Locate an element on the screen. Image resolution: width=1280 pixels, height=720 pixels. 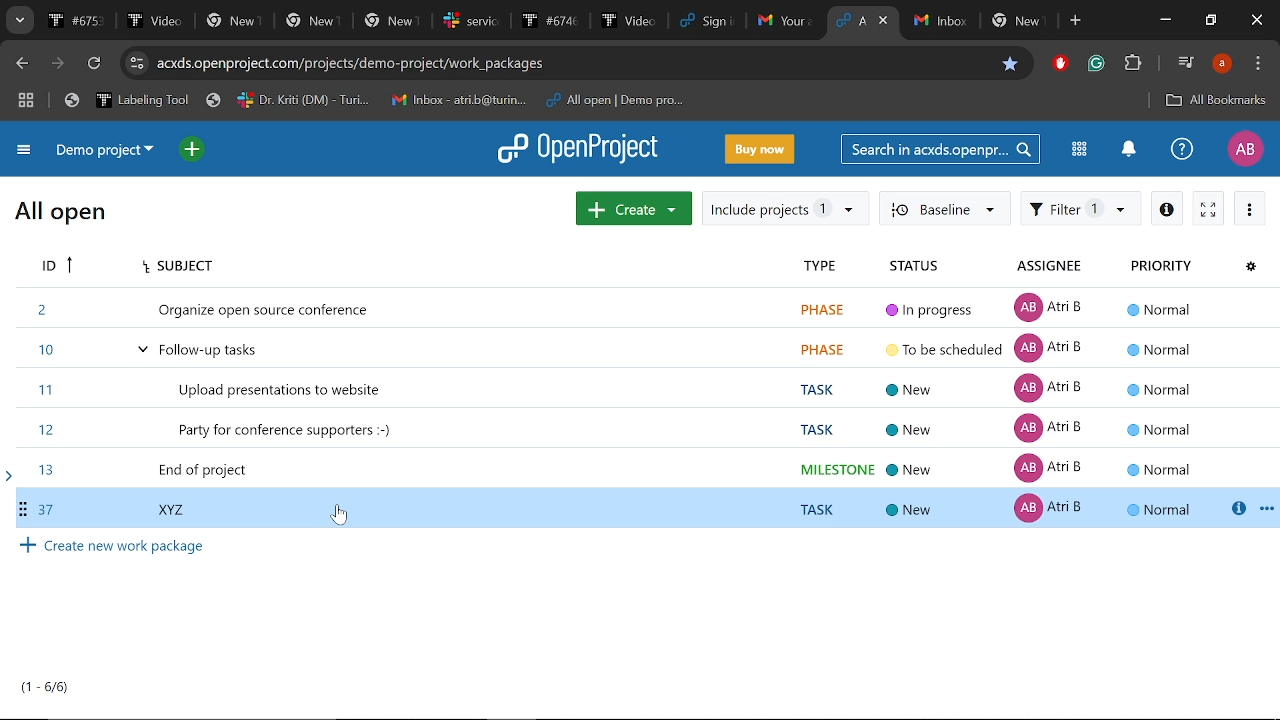
Add/remove bookmark is located at coordinates (1007, 65).